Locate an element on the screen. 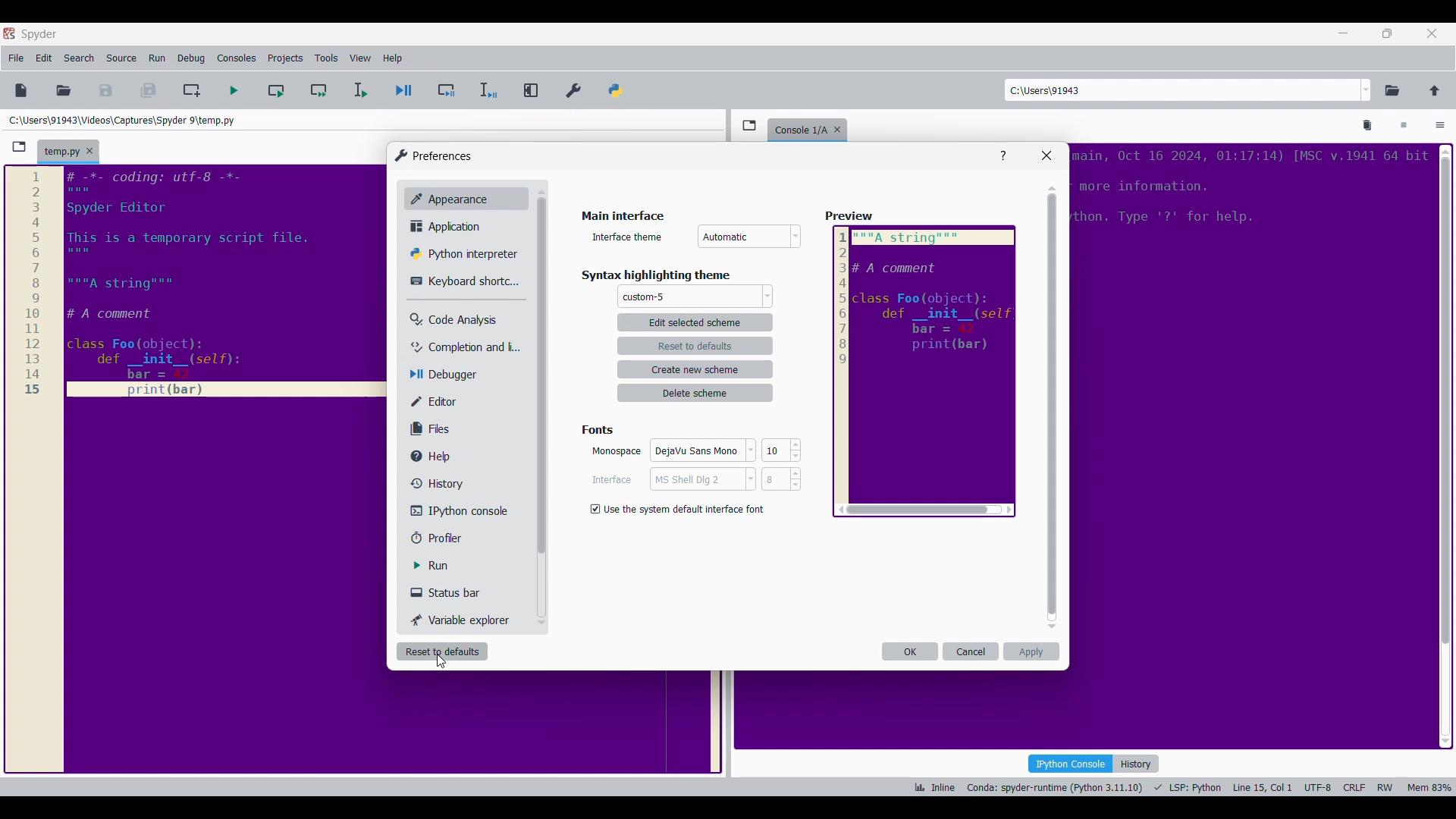  Folder location is located at coordinates (122, 121).